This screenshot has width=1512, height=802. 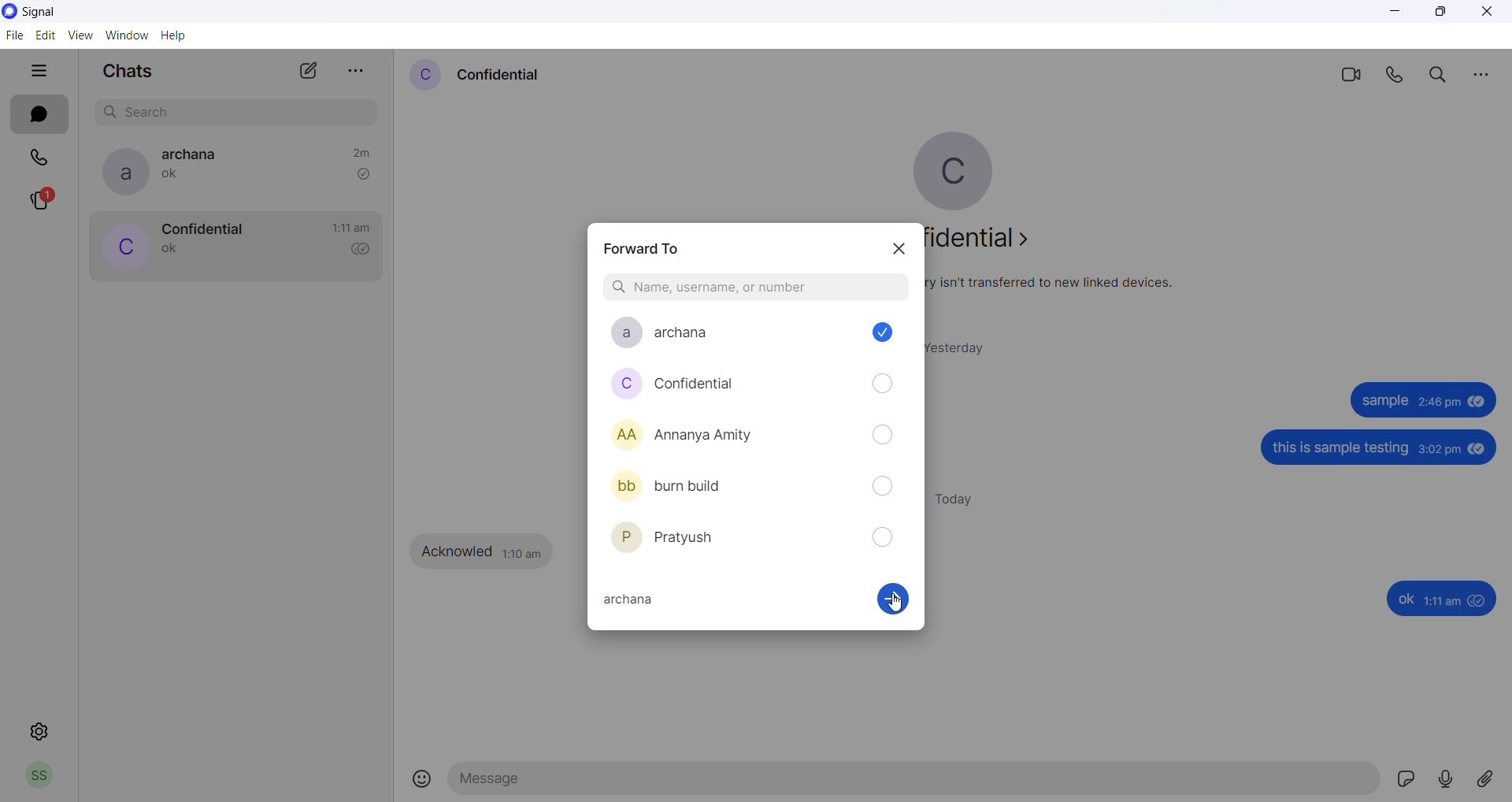 What do you see at coordinates (357, 66) in the screenshot?
I see `more options` at bounding box center [357, 66].